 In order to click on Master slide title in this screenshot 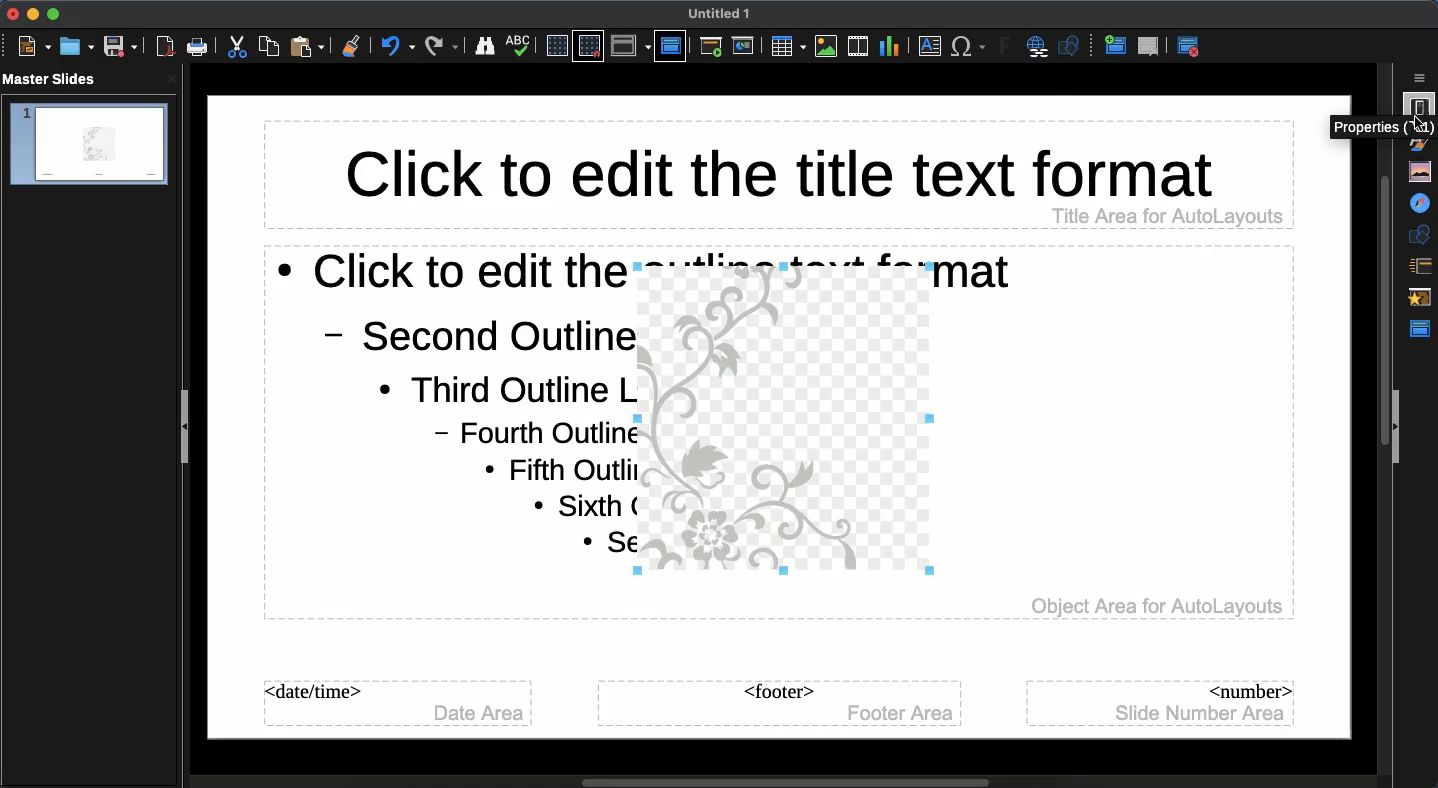, I will do `click(776, 174)`.